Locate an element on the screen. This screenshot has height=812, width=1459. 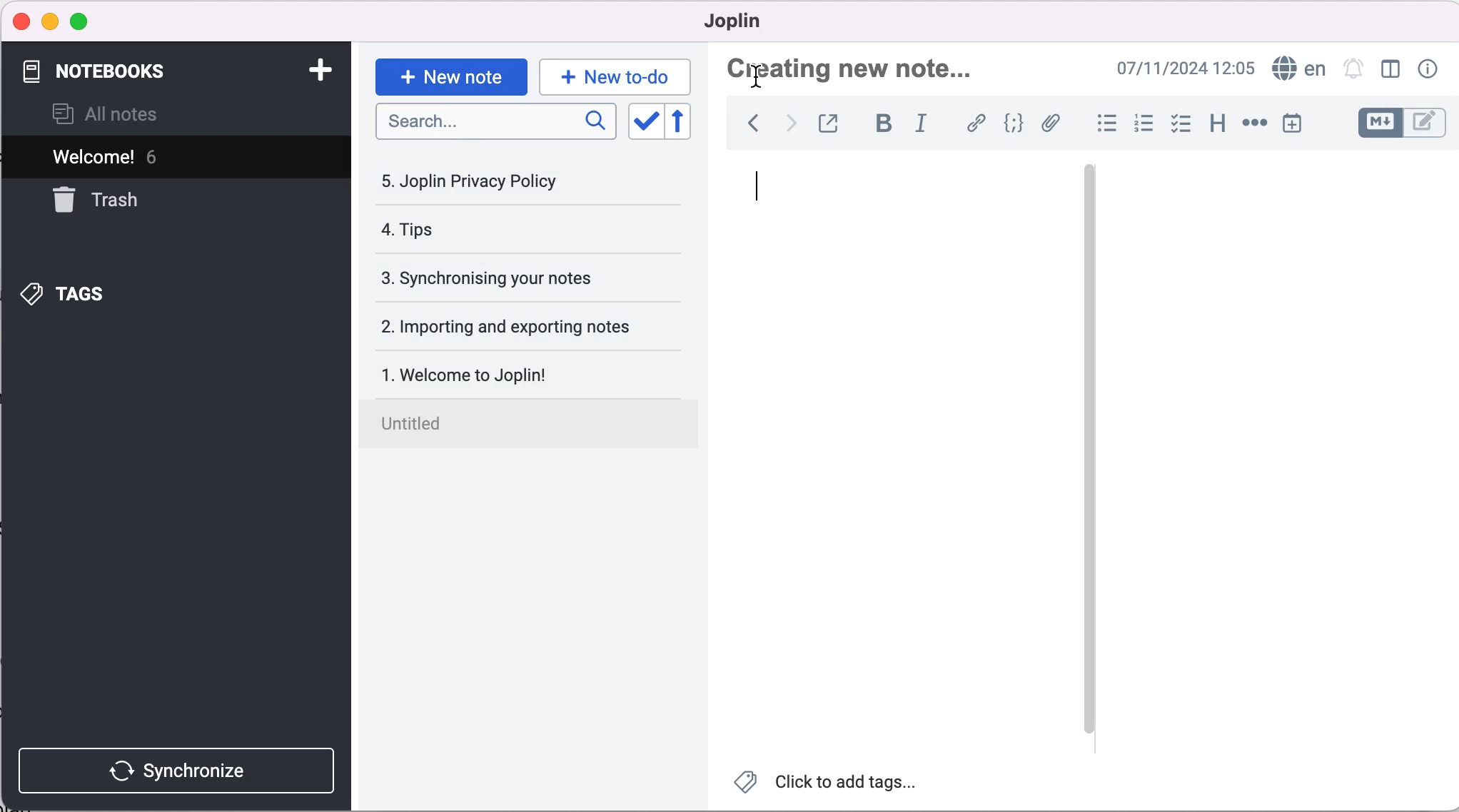
untilted note is located at coordinates (531, 426).